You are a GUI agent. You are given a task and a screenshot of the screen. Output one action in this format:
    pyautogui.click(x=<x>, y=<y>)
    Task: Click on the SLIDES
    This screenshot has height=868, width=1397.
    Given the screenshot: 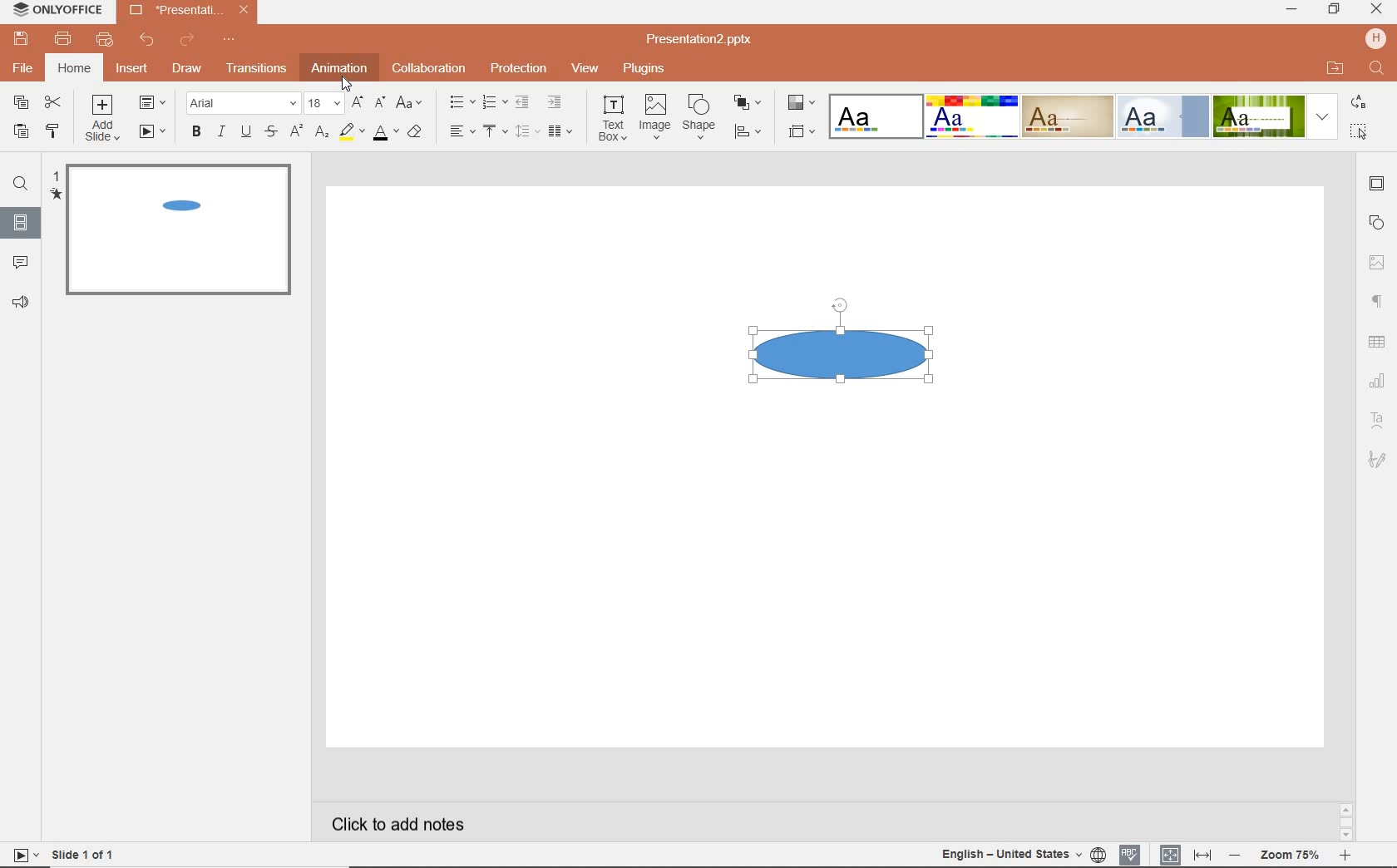 What is the action you would take?
    pyautogui.click(x=20, y=227)
    